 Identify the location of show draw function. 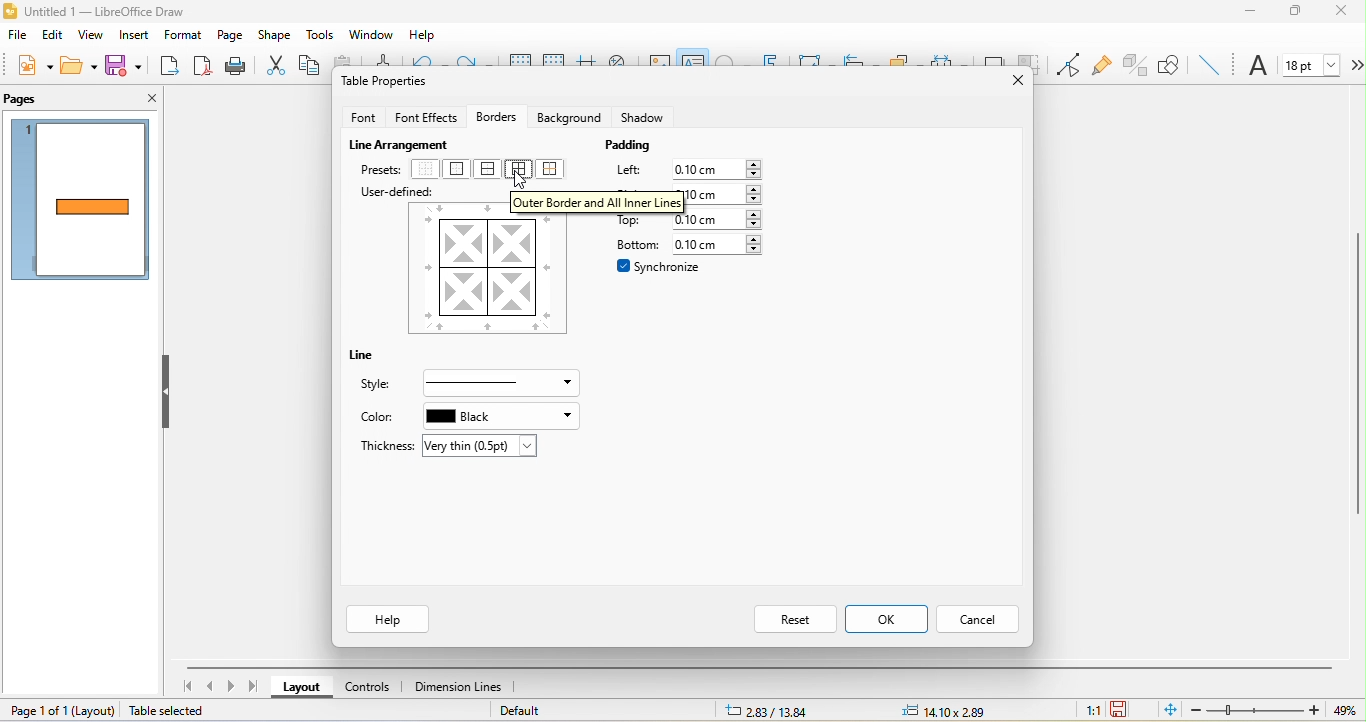
(1171, 64).